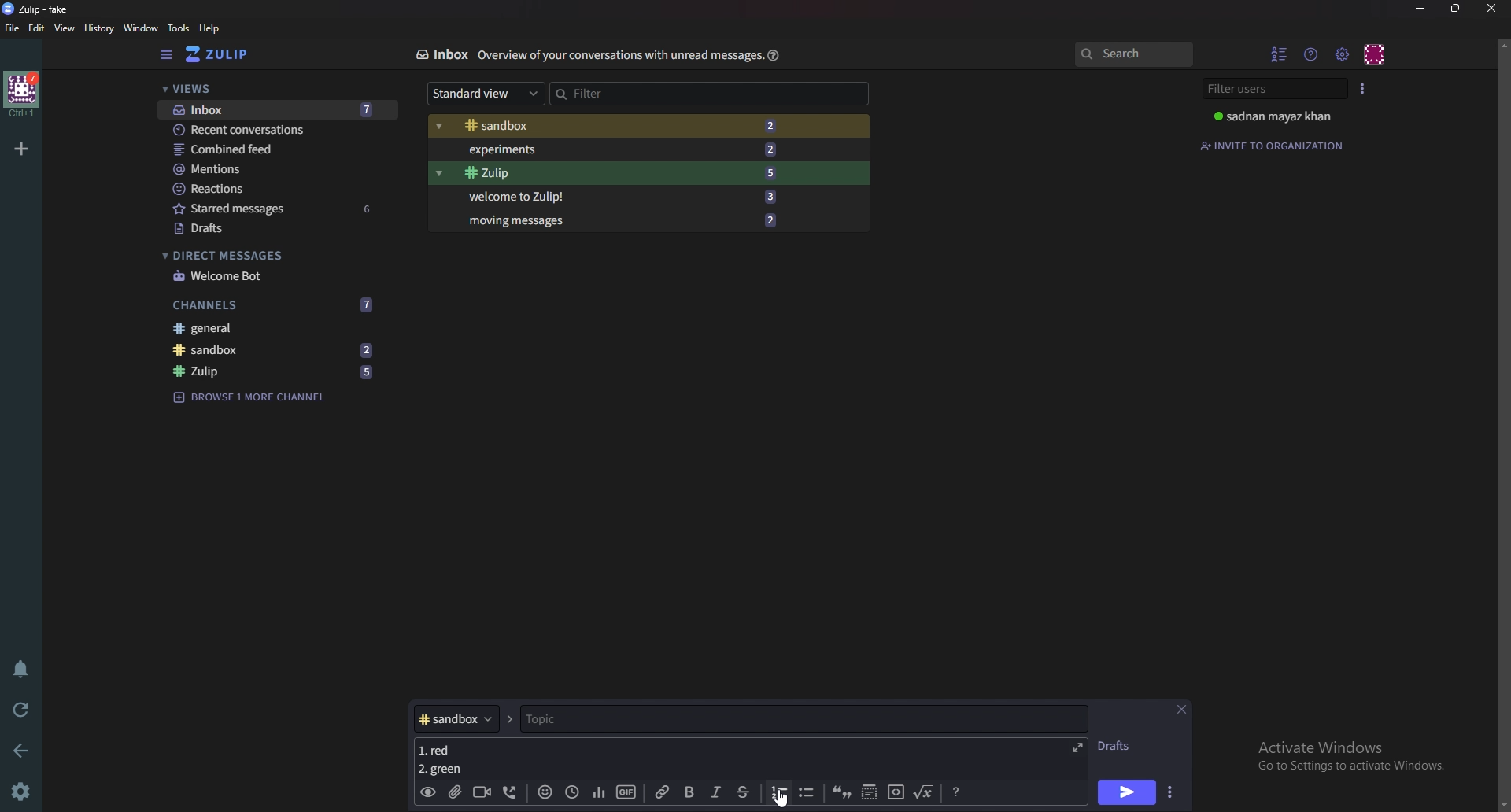 The height and width of the screenshot is (812, 1511). I want to click on Enable do not disturb, so click(19, 670).